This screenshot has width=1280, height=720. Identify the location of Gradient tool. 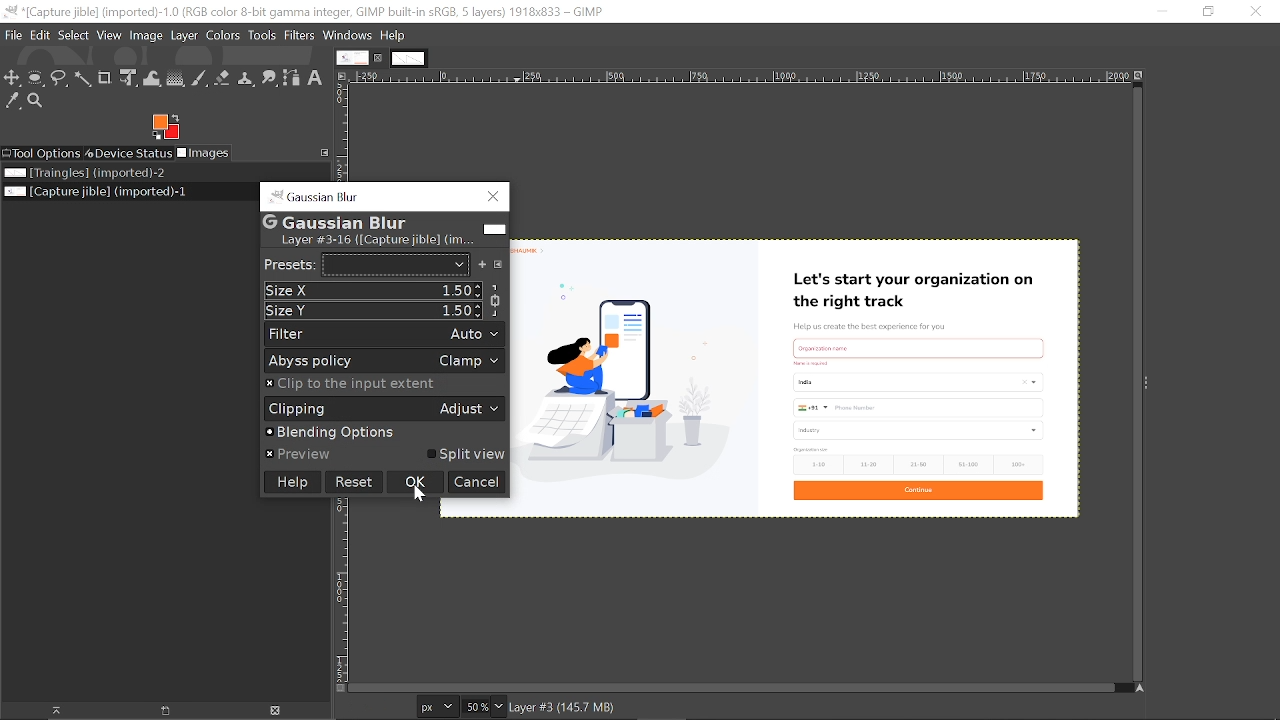
(176, 78).